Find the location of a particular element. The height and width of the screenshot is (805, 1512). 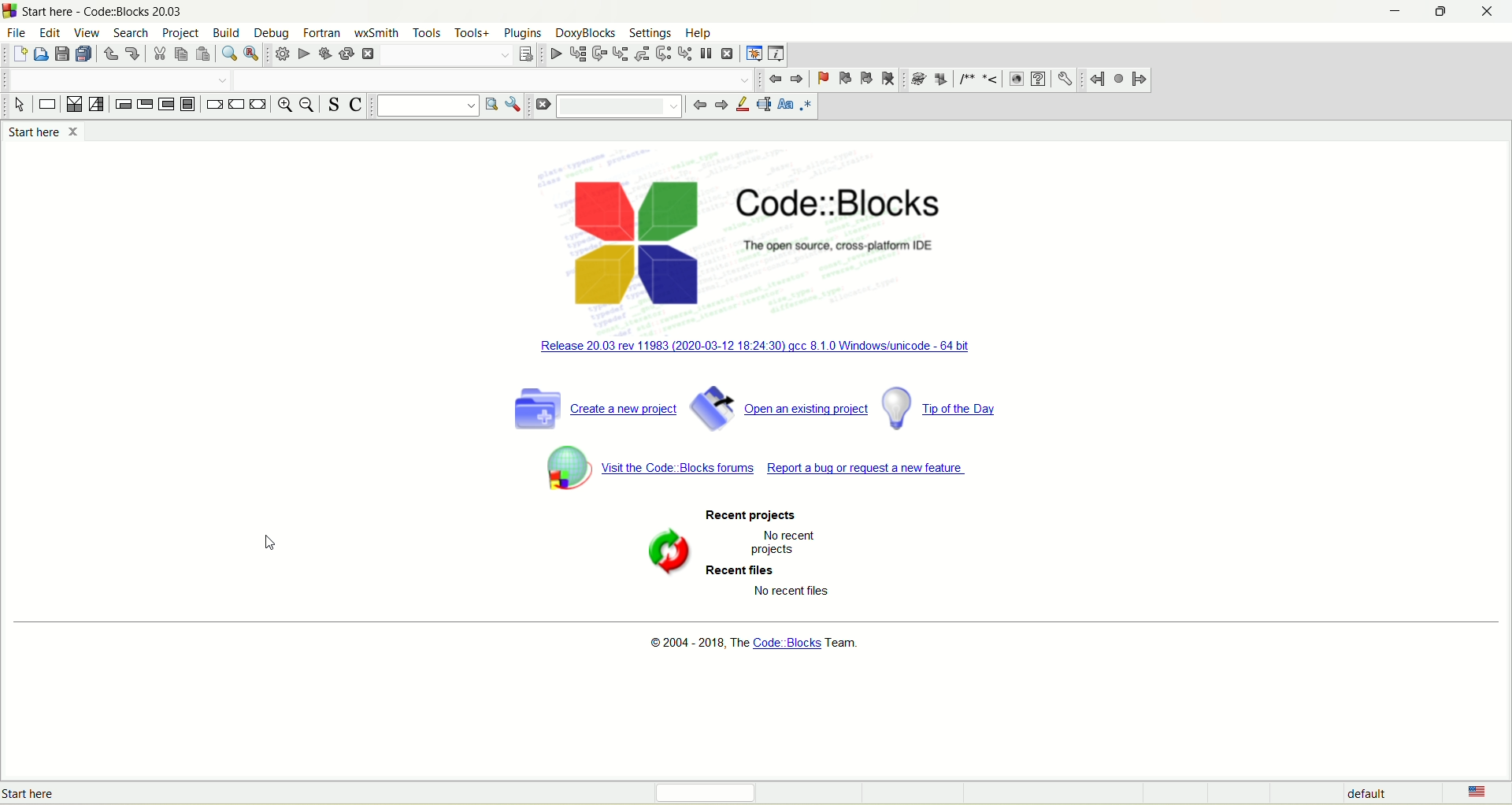

minimize is located at coordinates (1395, 12).